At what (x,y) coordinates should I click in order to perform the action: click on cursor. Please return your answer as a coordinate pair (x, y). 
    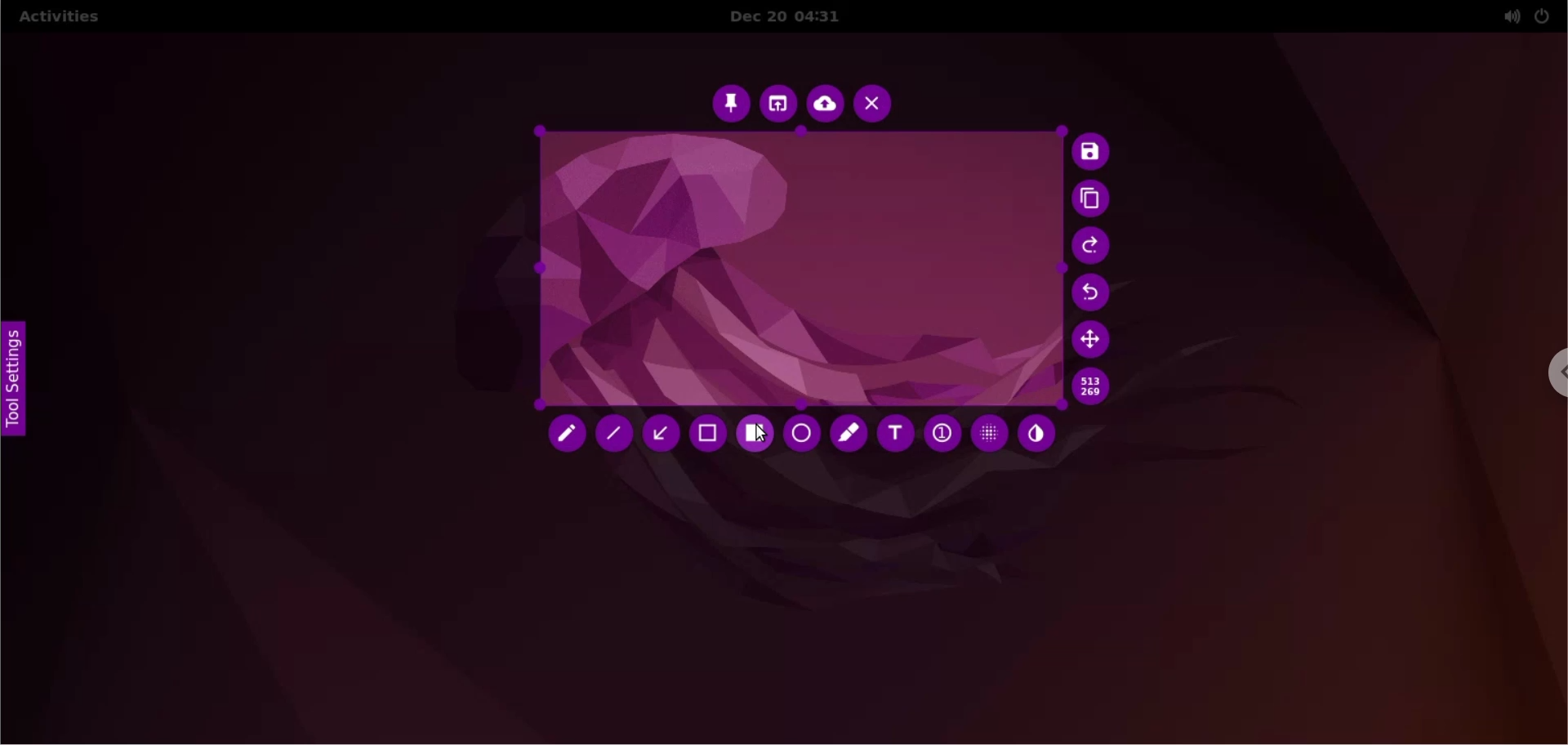
    Looking at the image, I should click on (761, 435).